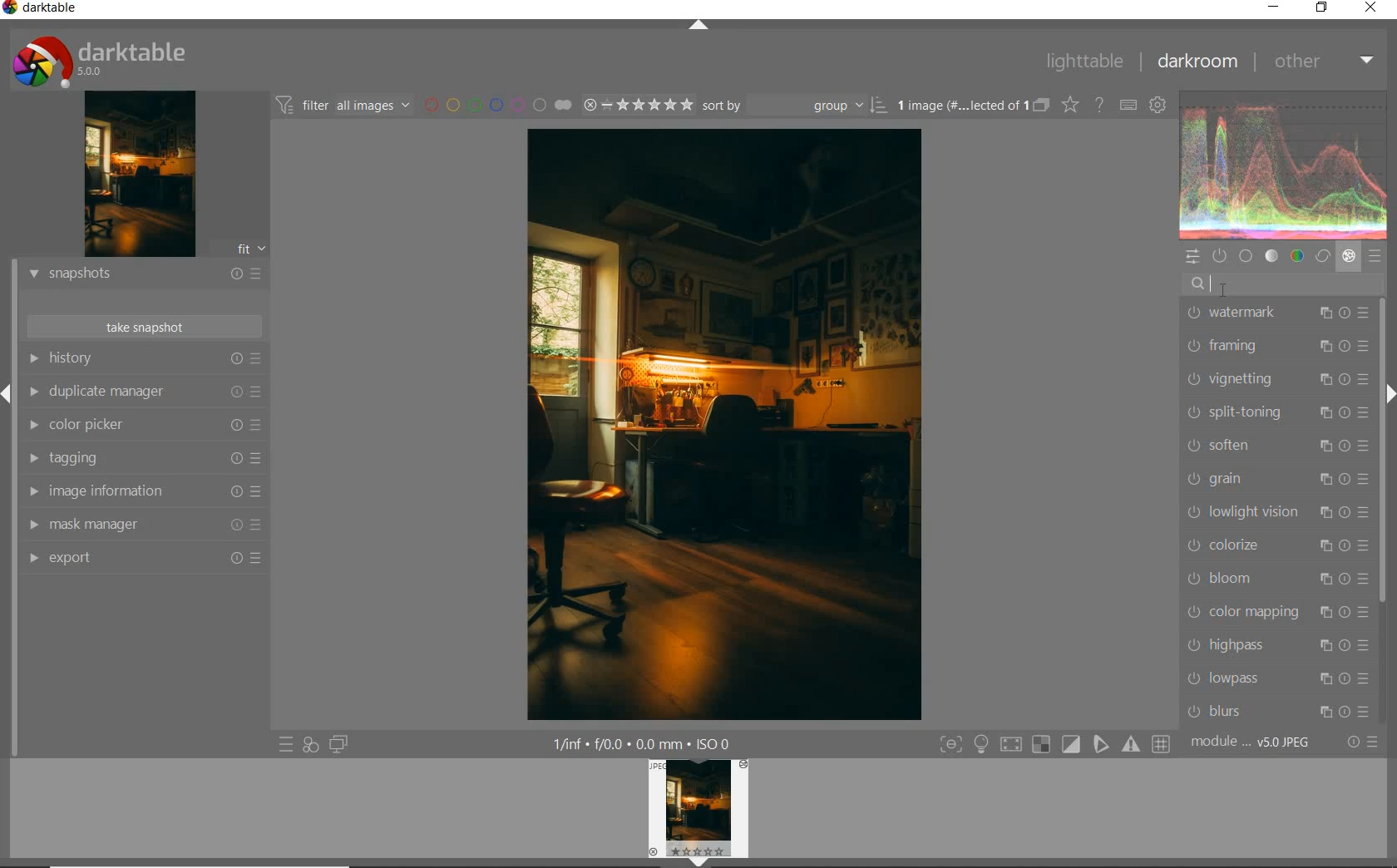  What do you see at coordinates (1276, 645) in the screenshot?
I see `highpass` at bounding box center [1276, 645].